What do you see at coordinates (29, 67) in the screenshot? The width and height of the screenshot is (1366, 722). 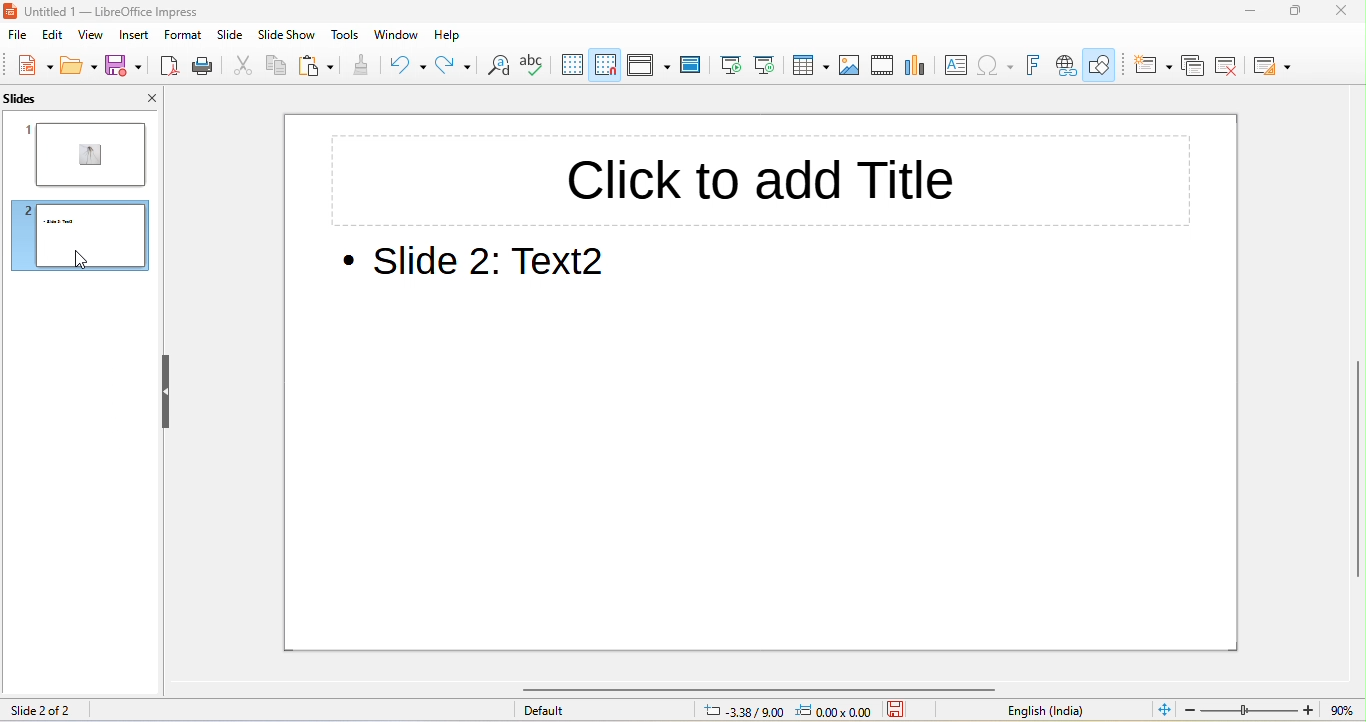 I see `new` at bounding box center [29, 67].